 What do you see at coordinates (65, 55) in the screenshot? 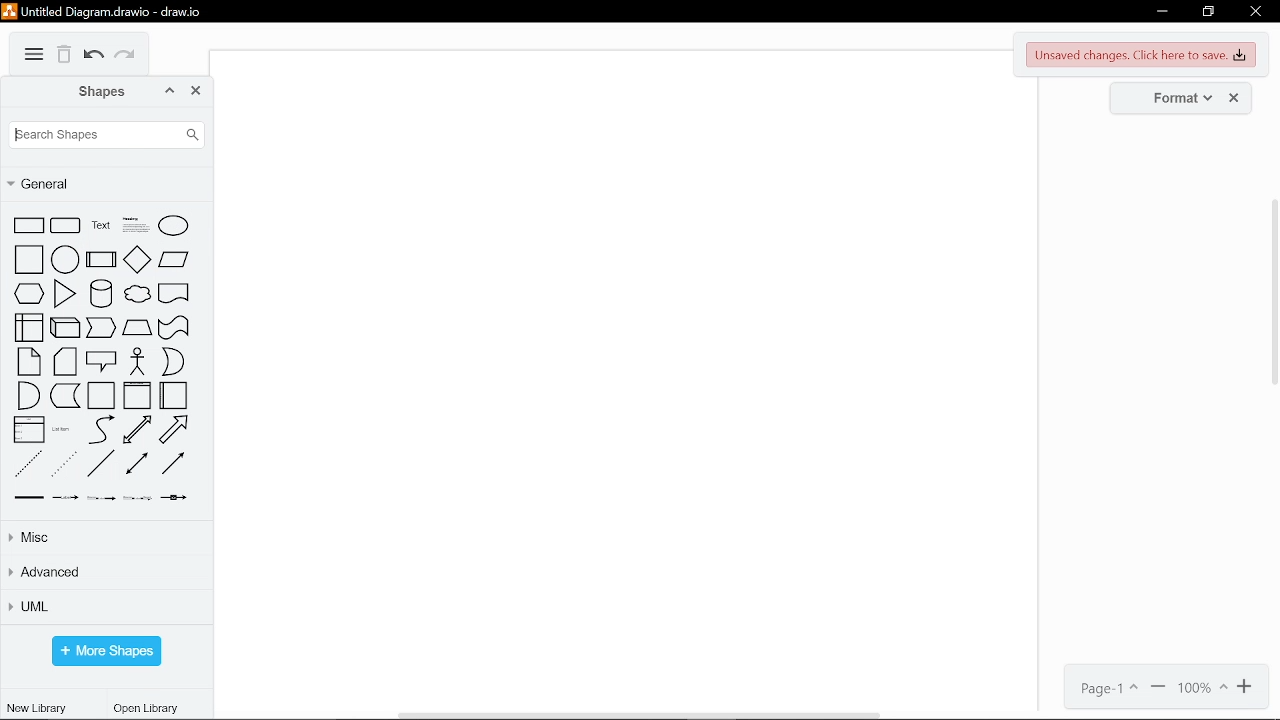
I see `delete` at bounding box center [65, 55].